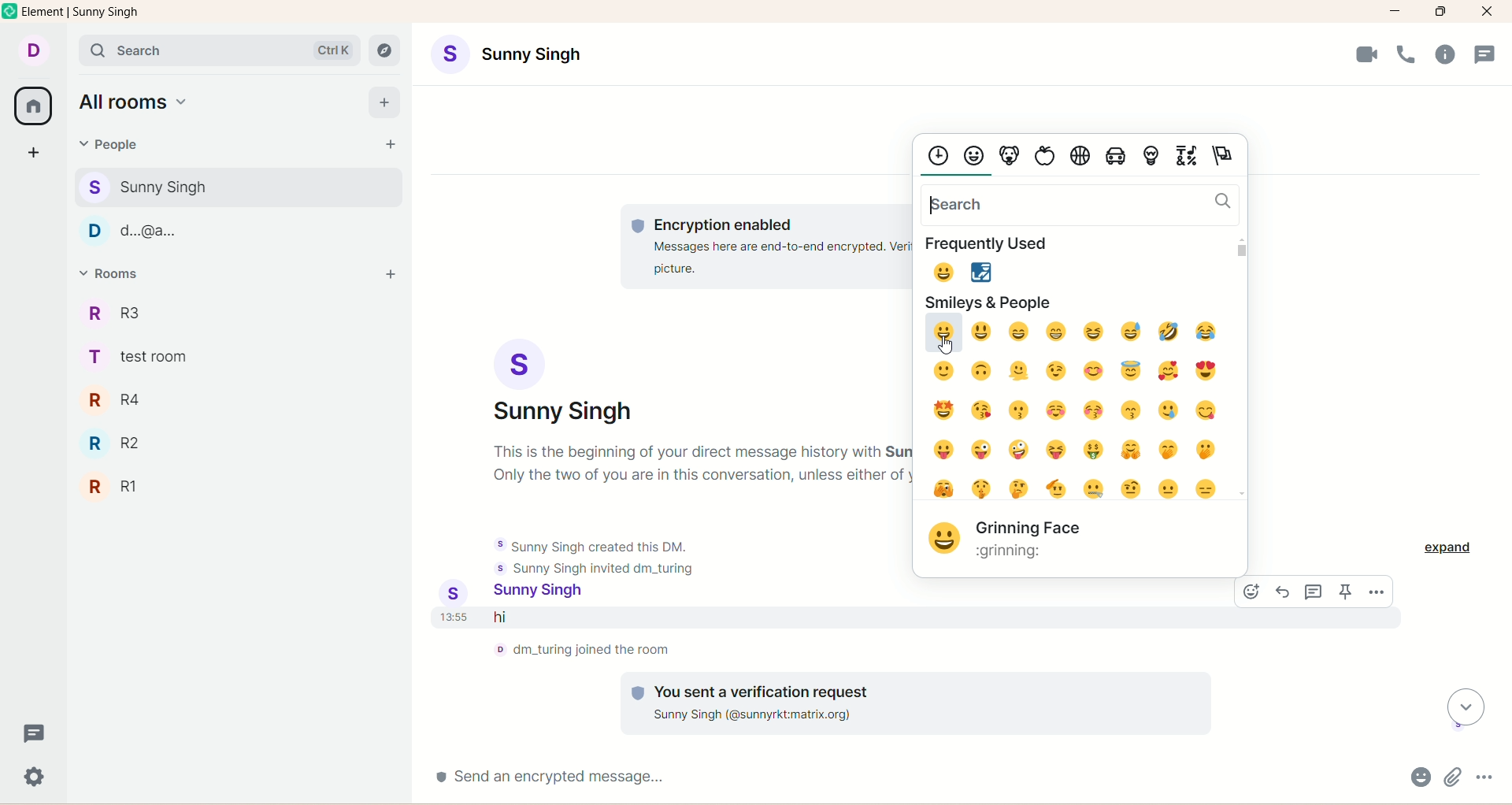 The height and width of the screenshot is (805, 1512). Describe the element at coordinates (1010, 158) in the screenshot. I see `Animals and nature` at that location.